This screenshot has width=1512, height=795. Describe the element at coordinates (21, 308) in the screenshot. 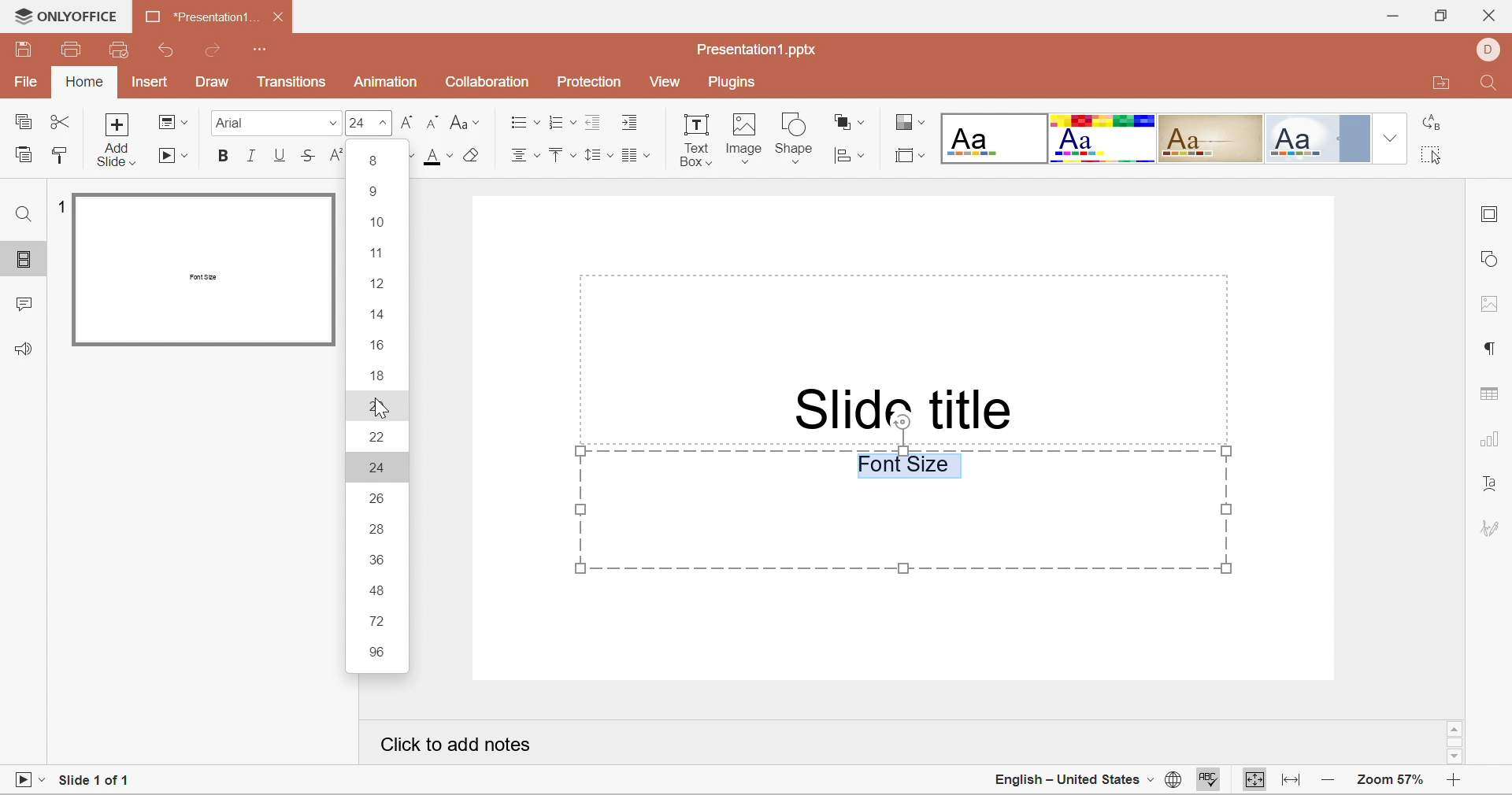

I see `Comments` at that location.